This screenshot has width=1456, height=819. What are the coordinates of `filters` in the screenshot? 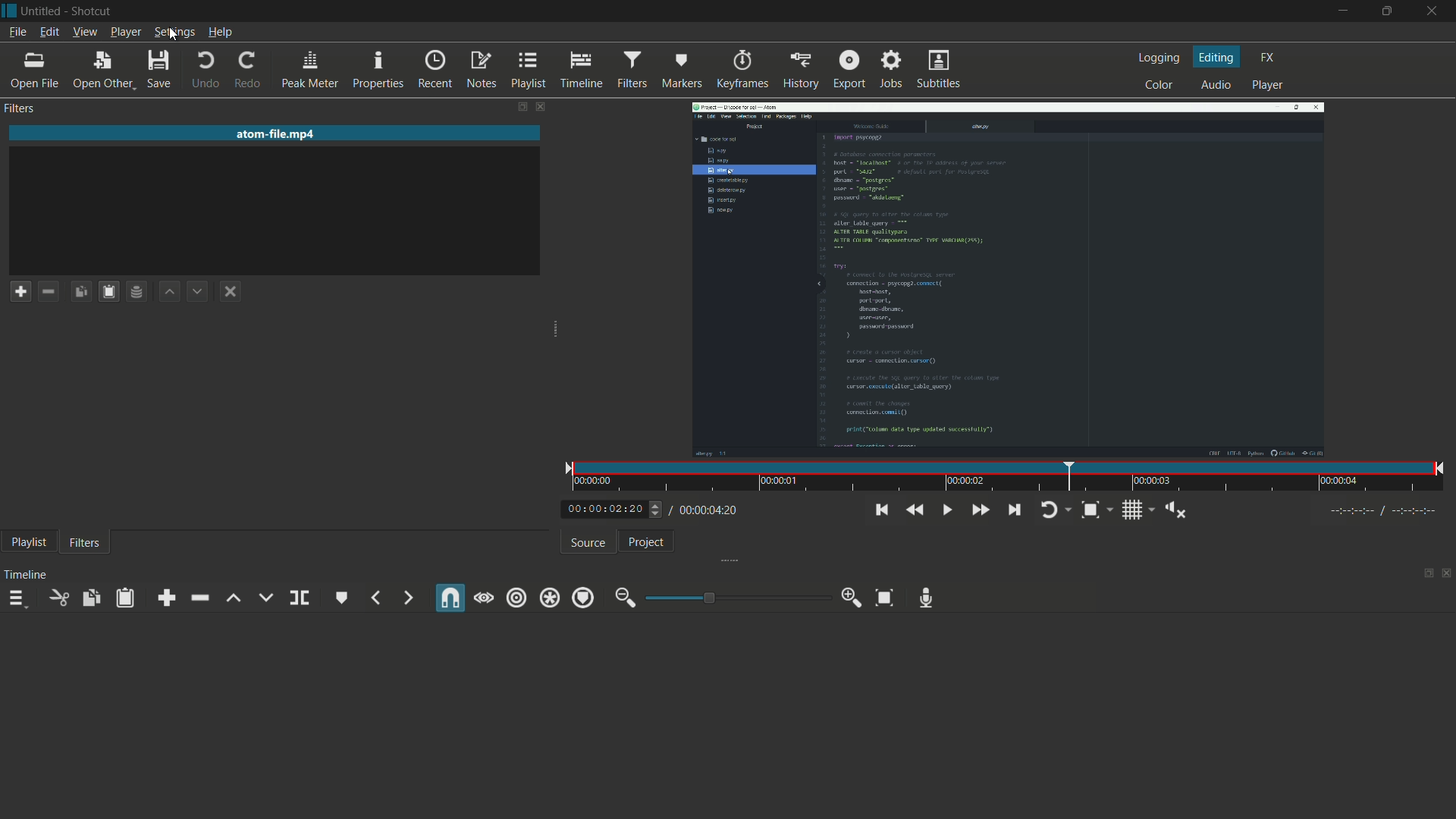 It's located at (20, 108).